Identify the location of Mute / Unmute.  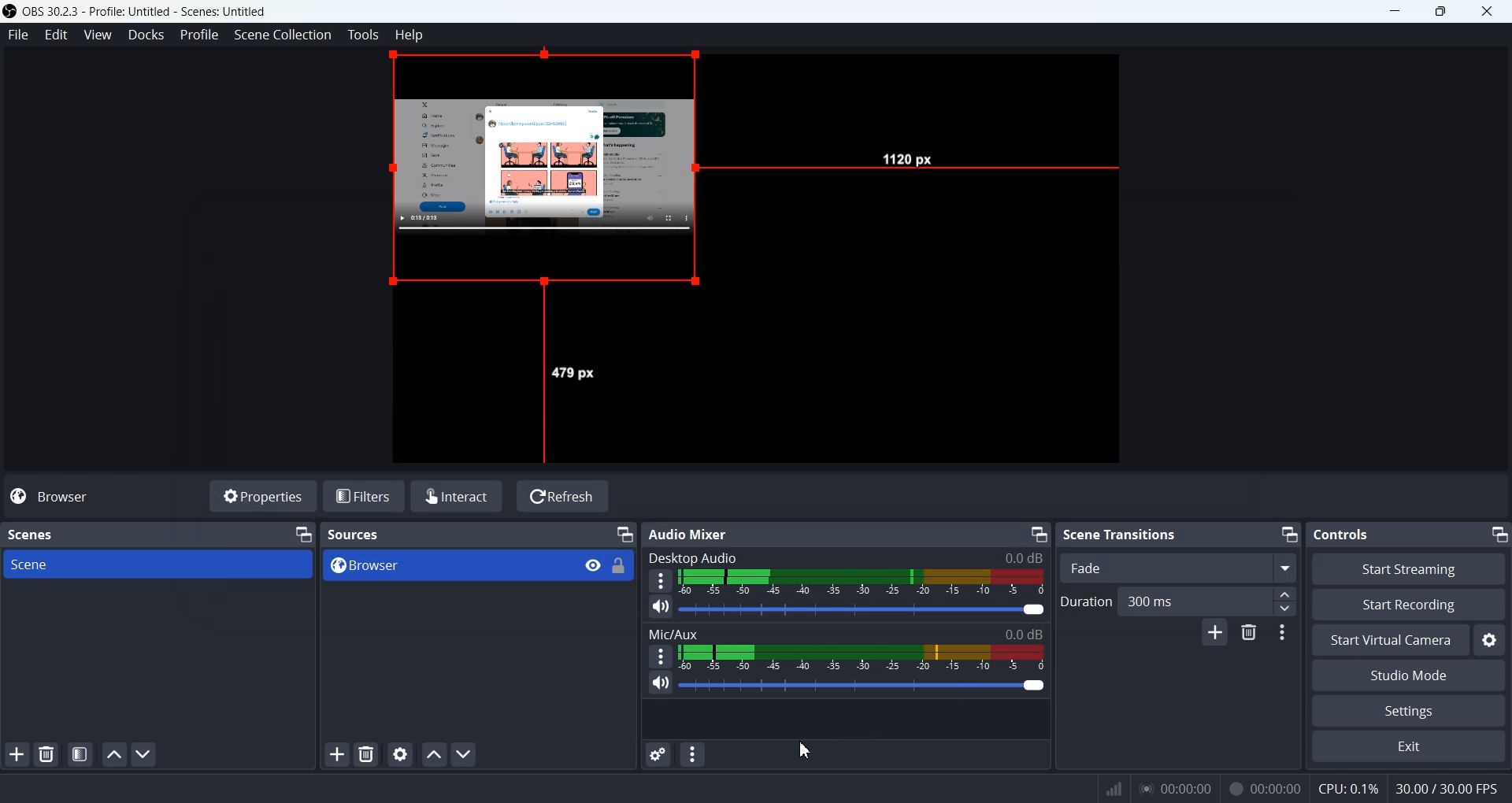
(661, 606).